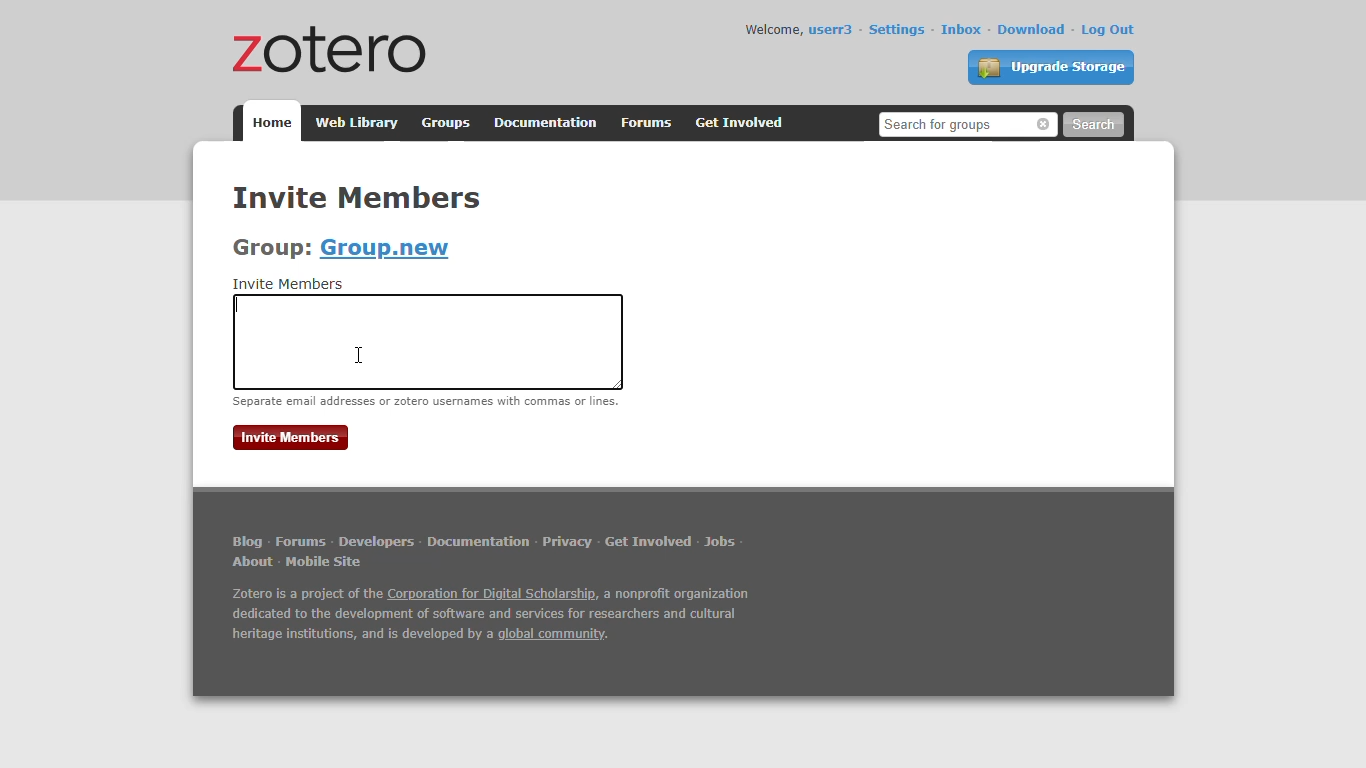  Describe the element at coordinates (546, 123) in the screenshot. I see `documentation` at that location.